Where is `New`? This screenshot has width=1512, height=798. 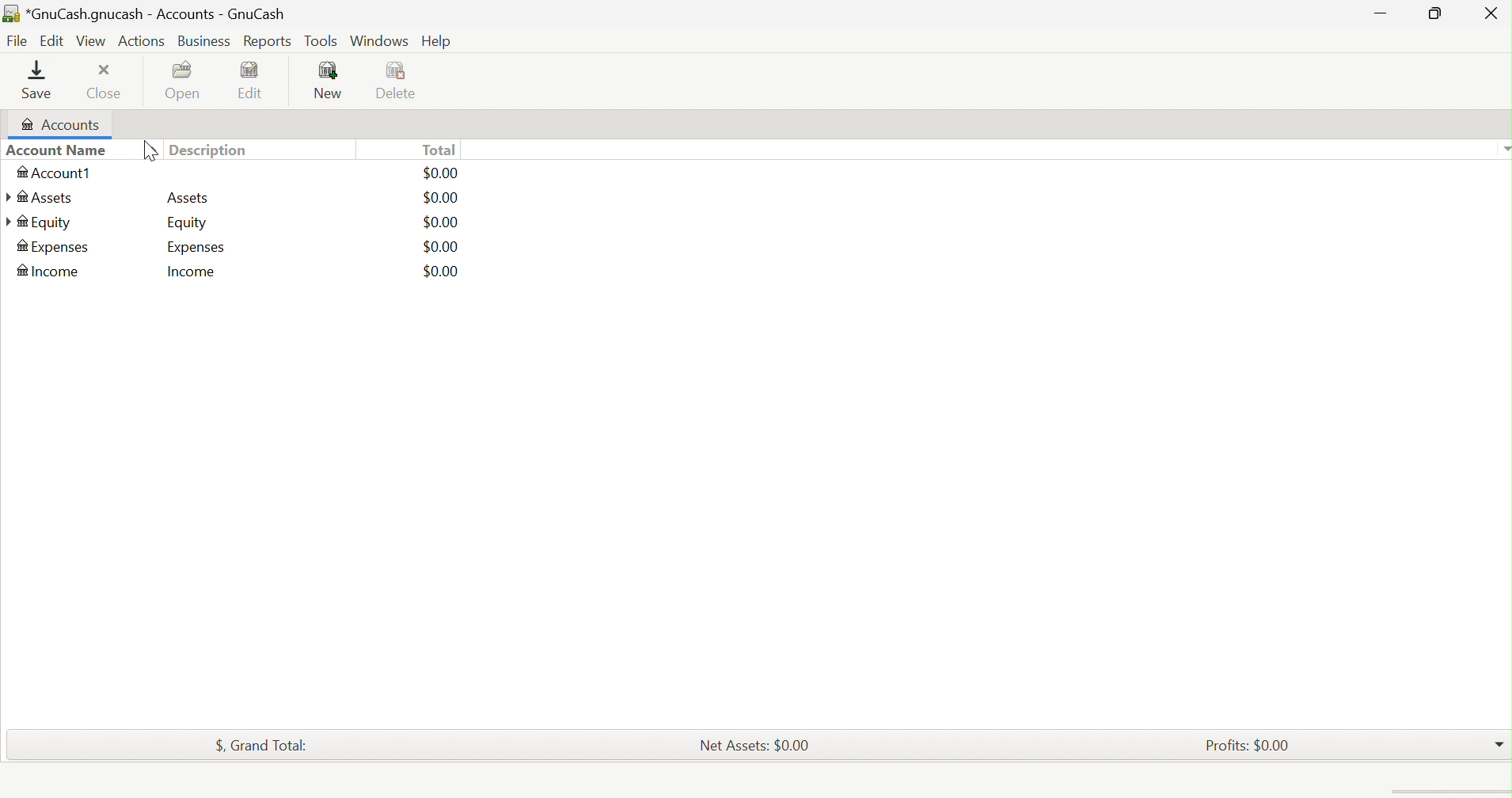 New is located at coordinates (330, 81).